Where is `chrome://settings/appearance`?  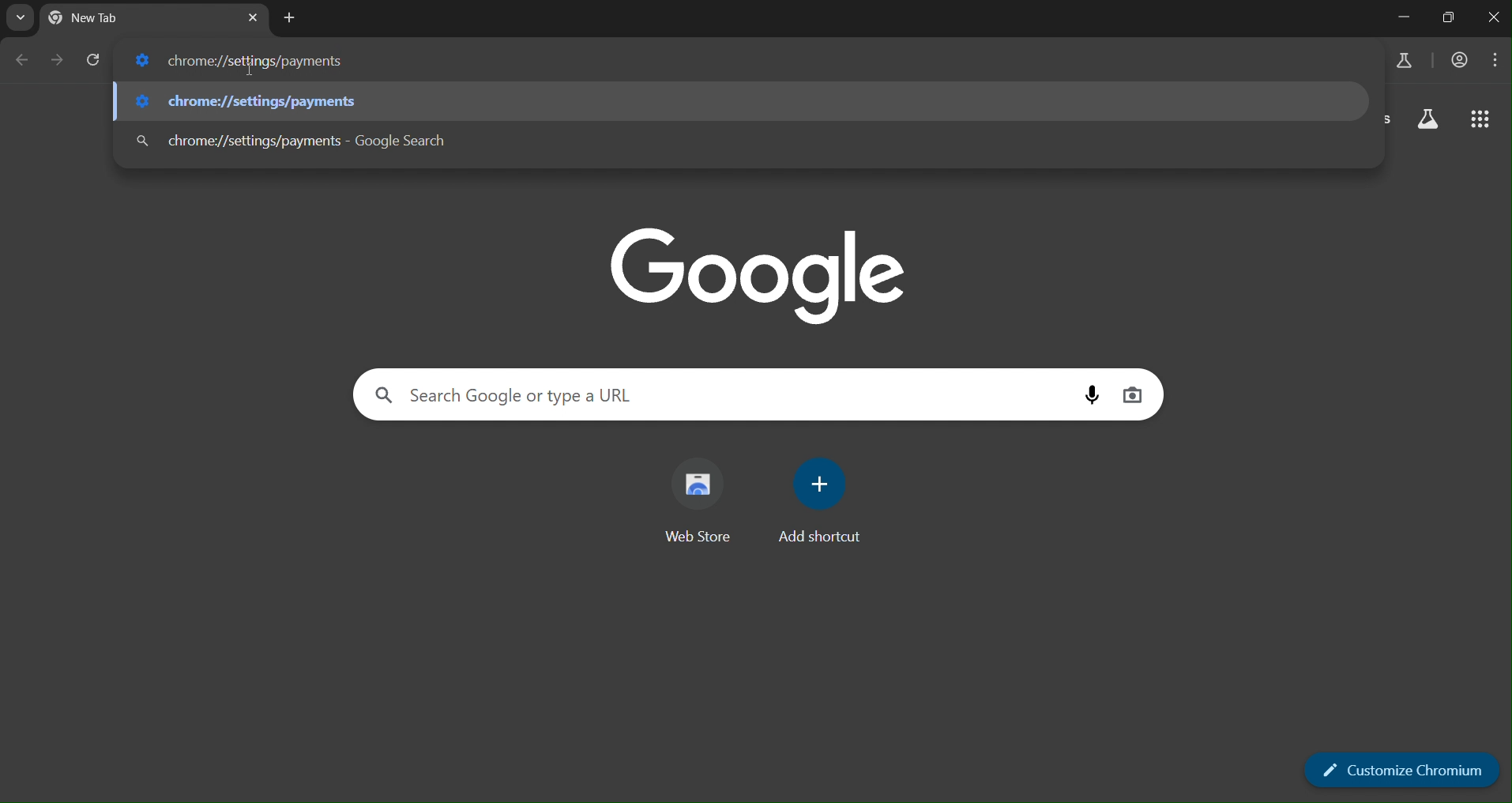
chrome://settings/appearance is located at coordinates (254, 101).